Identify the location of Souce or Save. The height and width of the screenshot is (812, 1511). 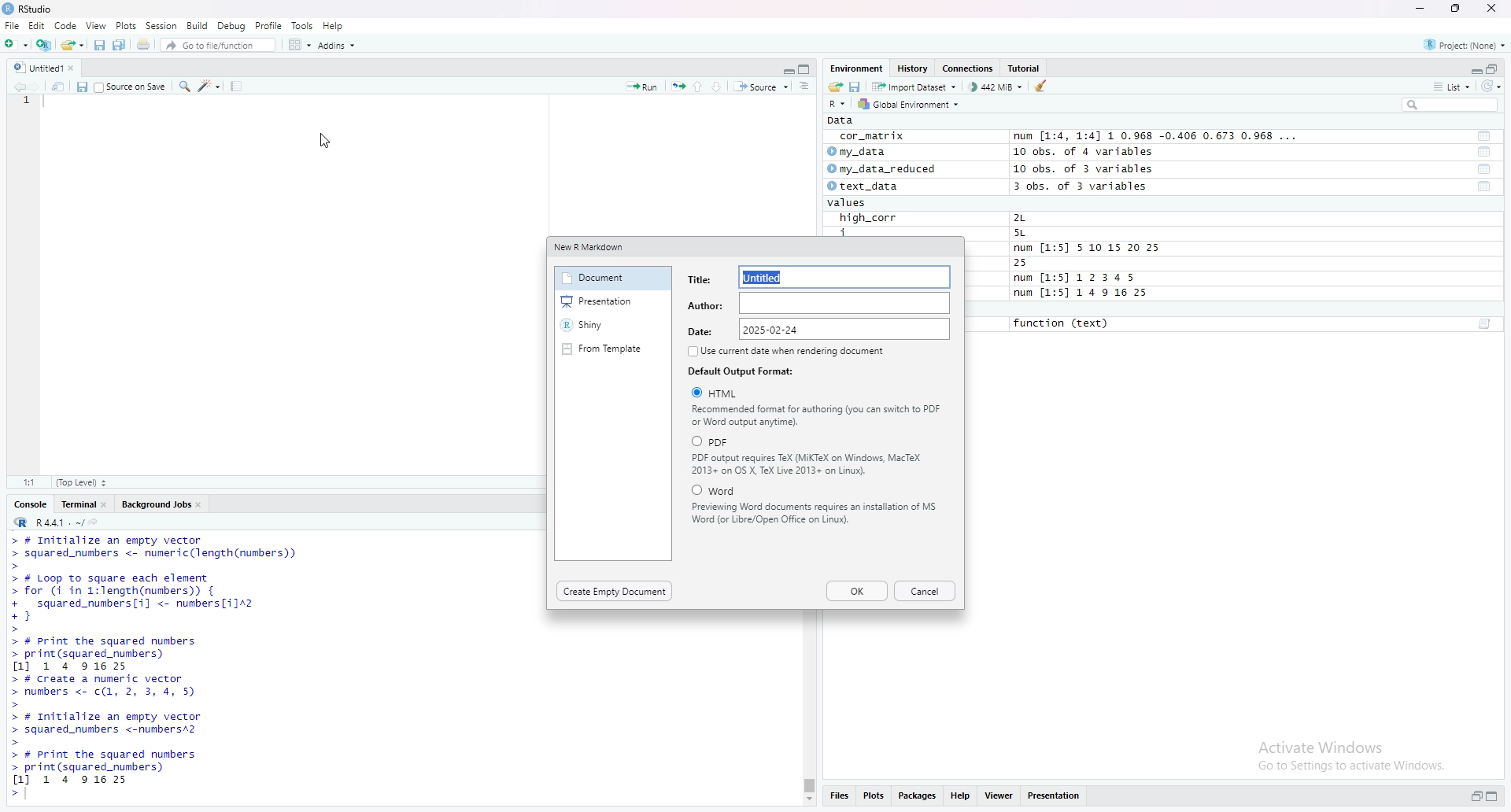
(132, 87).